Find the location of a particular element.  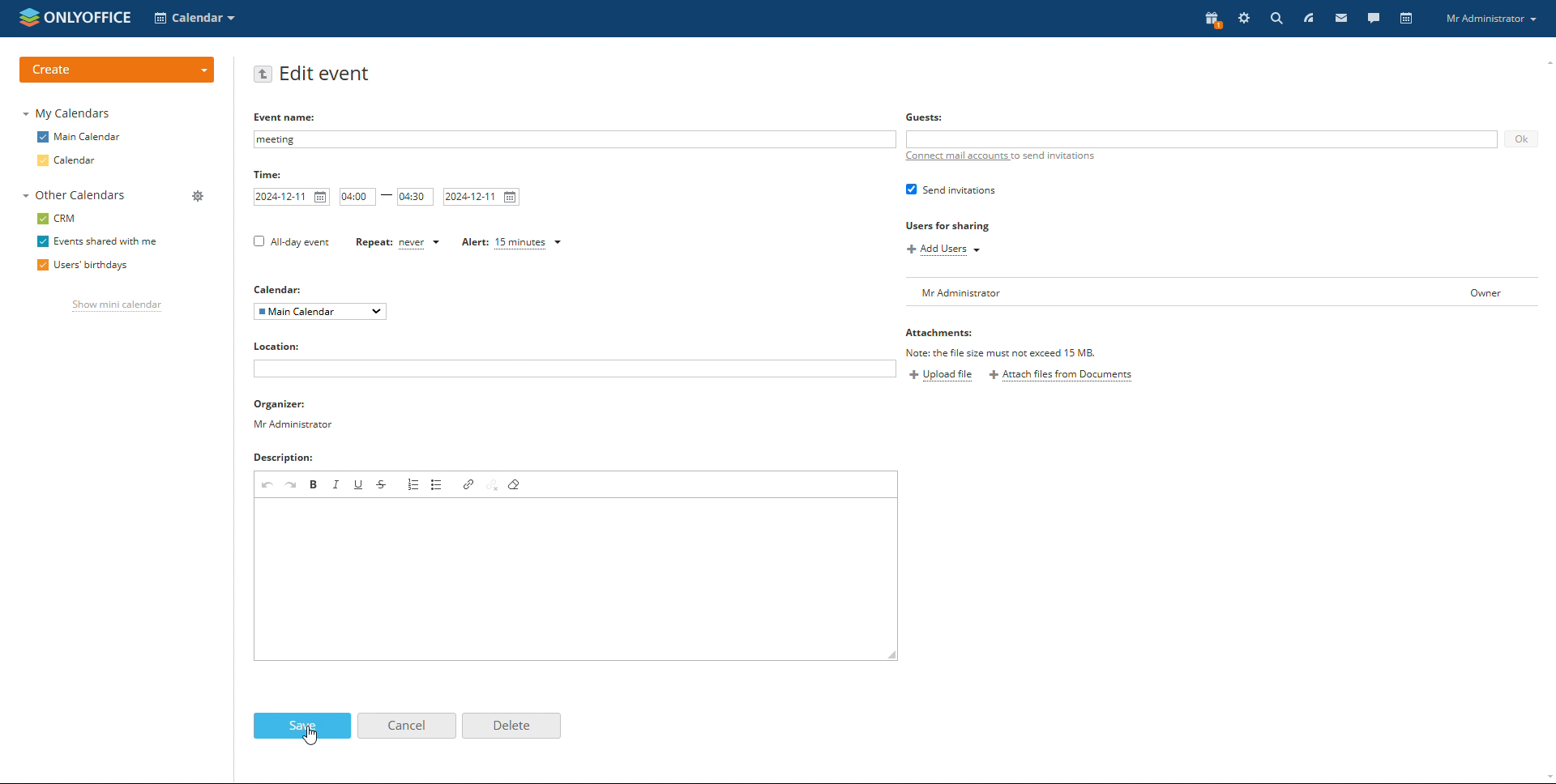

attach files from documents is located at coordinates (1062, 376).